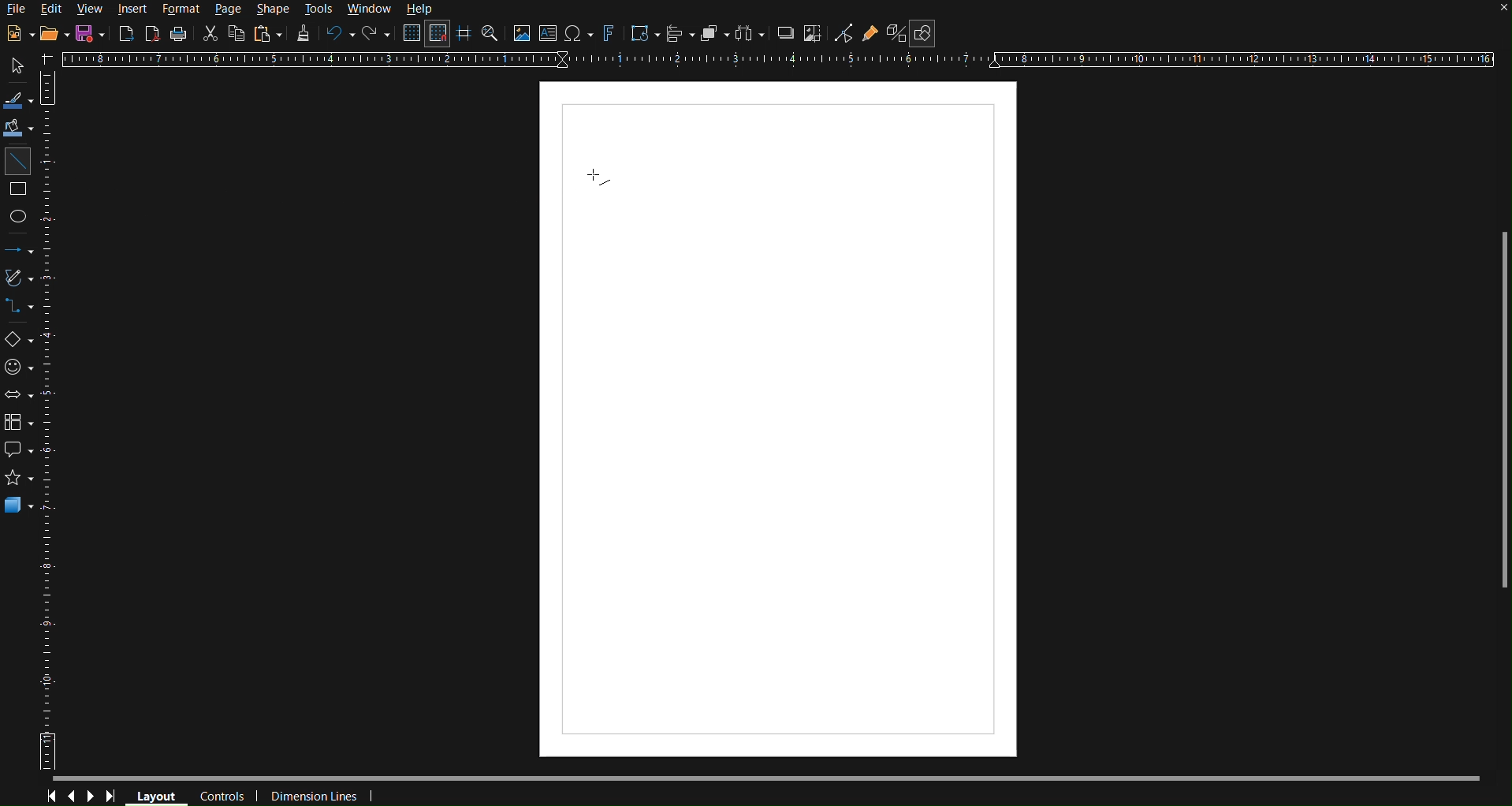  What do you see at coordinates (19, 423) in the screenshot?
I see `Flowcharts` at bounding box center [19, 423].